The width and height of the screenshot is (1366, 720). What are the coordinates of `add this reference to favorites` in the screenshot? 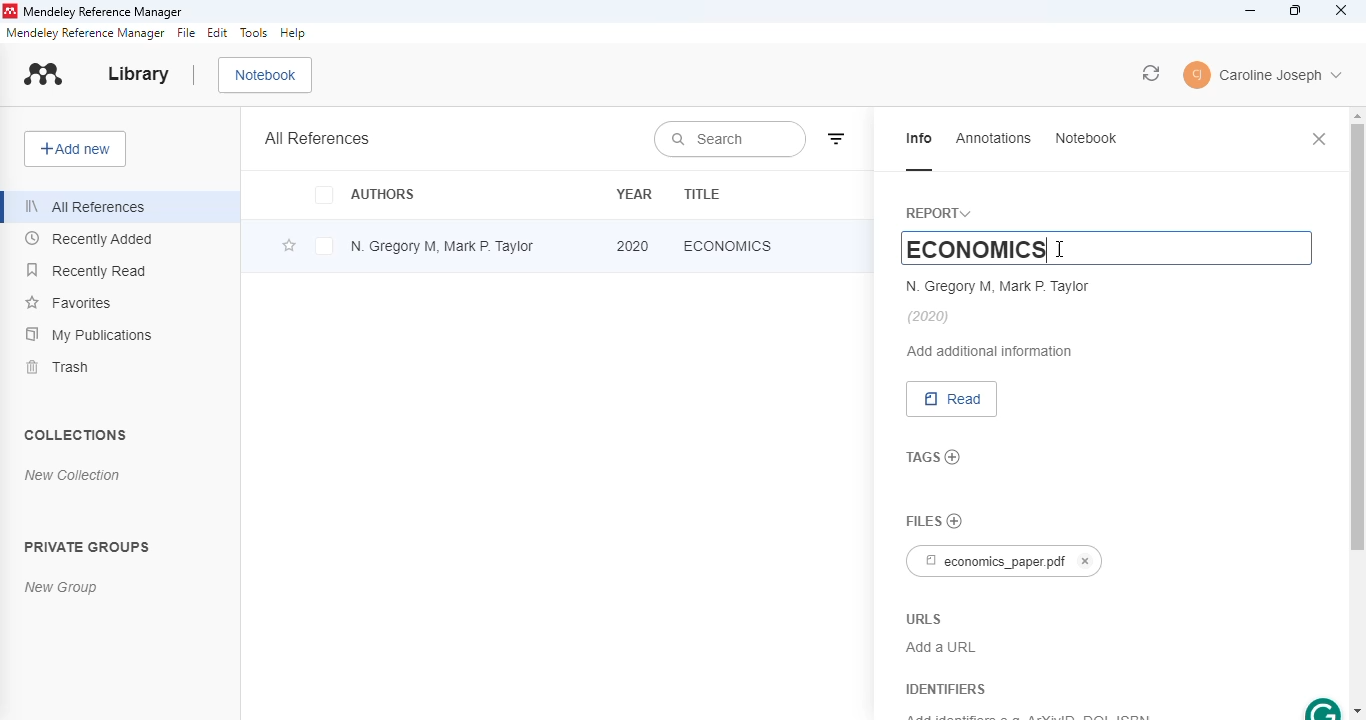 It's located at (289, 247).